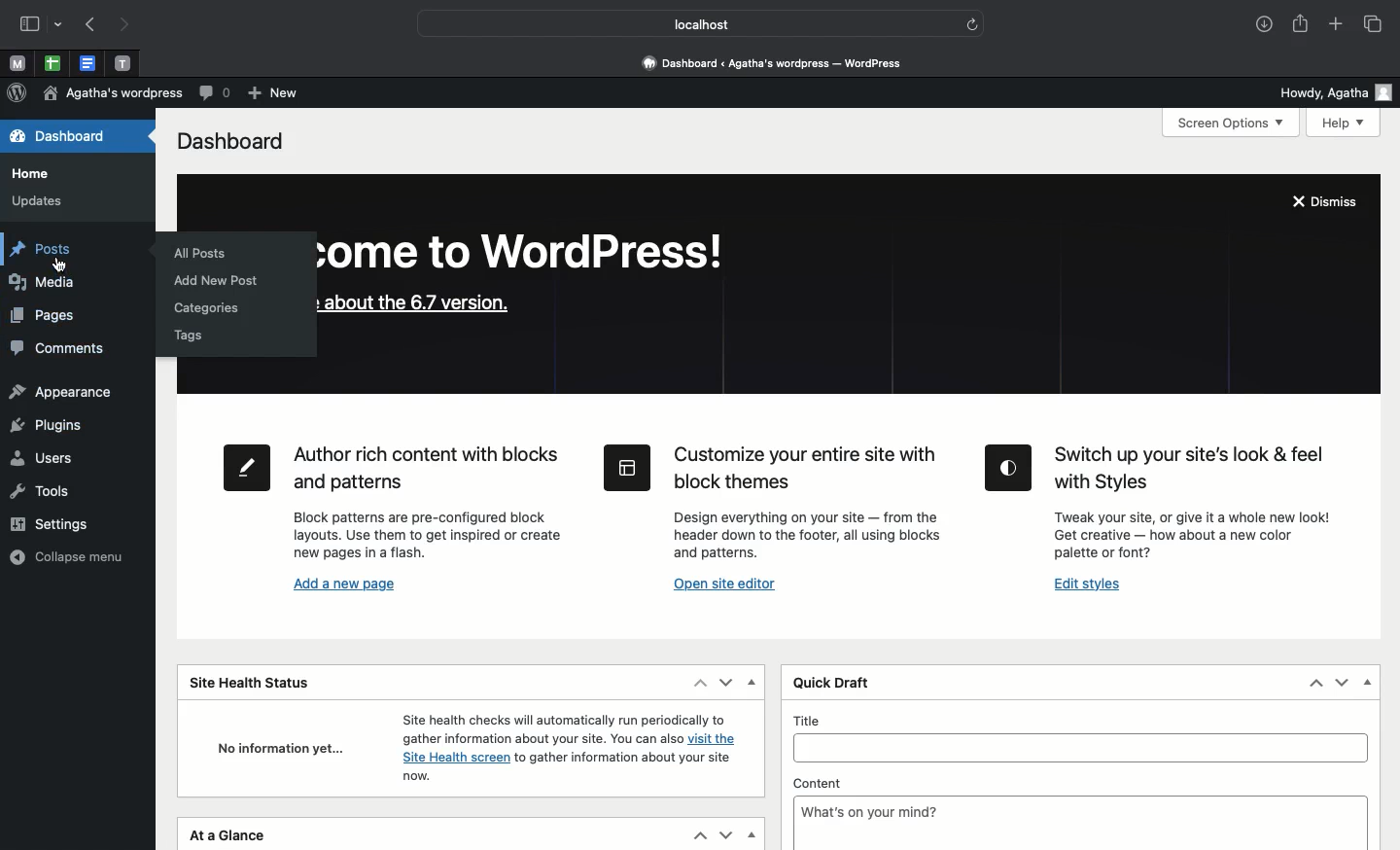 The width and height of the screenshot is (1400, 850). I want to click on Tools, so click(43, 490).